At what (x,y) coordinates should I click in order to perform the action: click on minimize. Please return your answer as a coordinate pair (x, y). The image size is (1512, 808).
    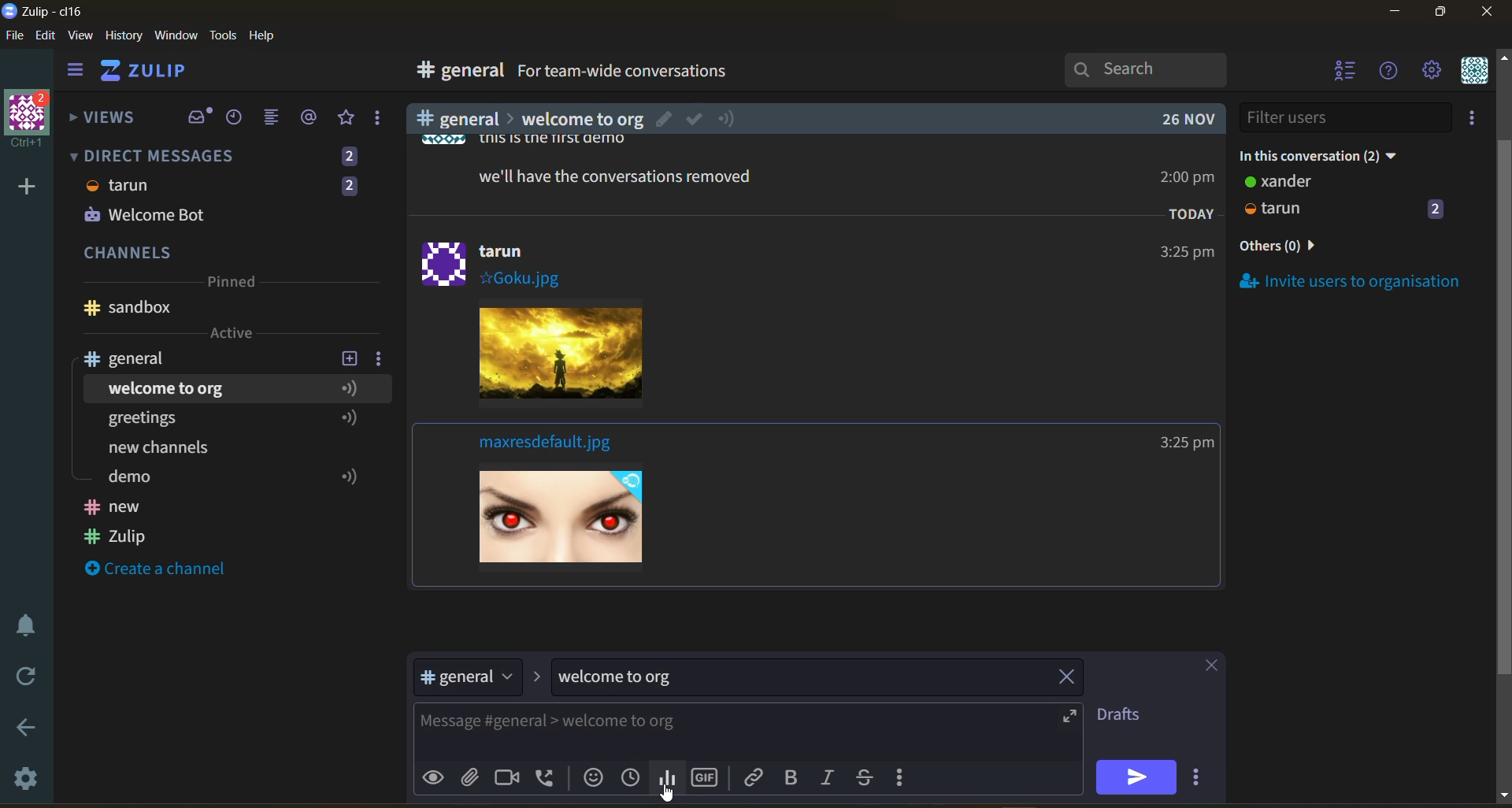
    Looking at the image, I should click on (1395, 14).